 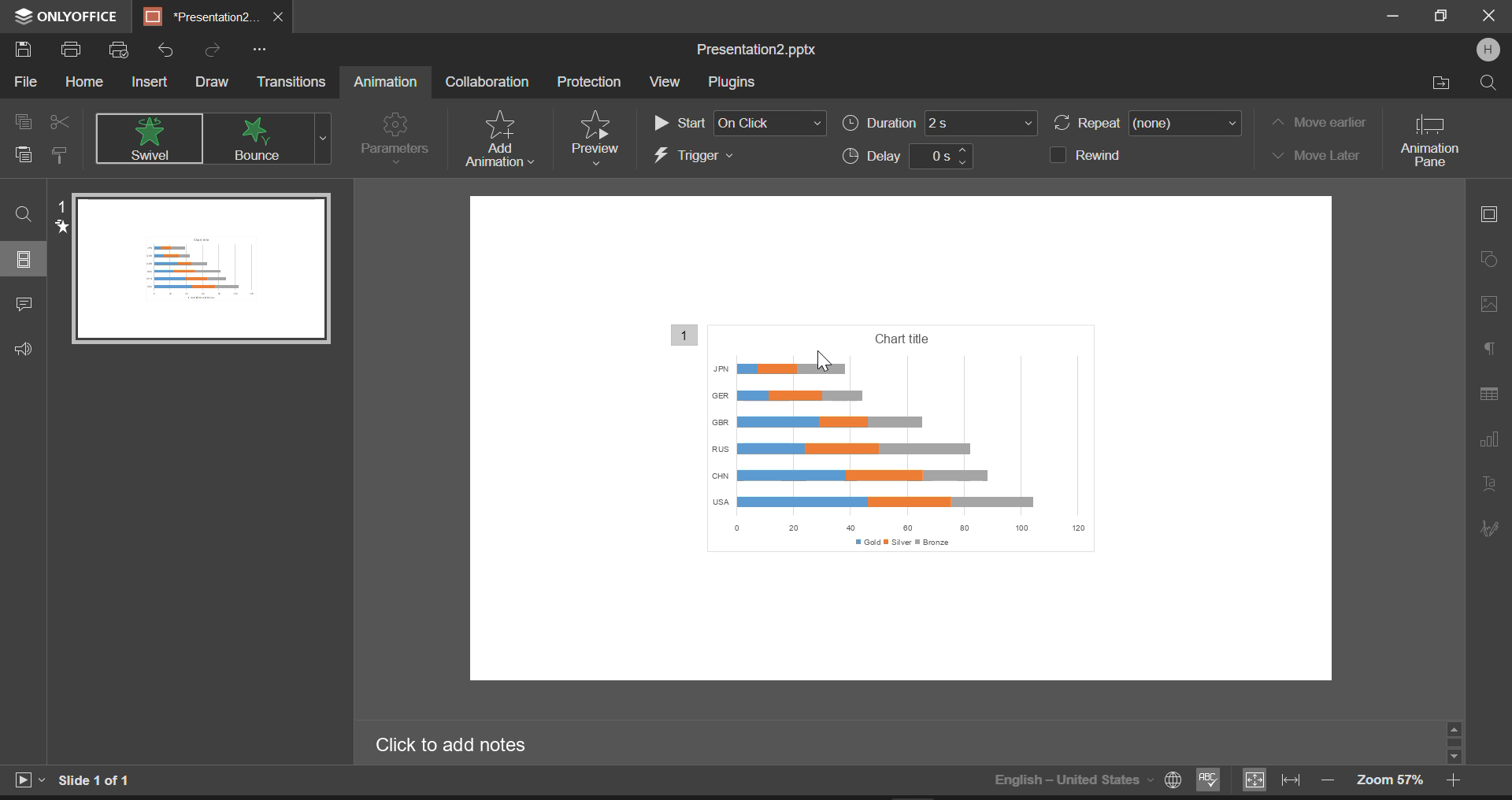 What do you see at coordinates (27, 50) in the screenshot?
I see `Save` at bounding box center [27, 50].